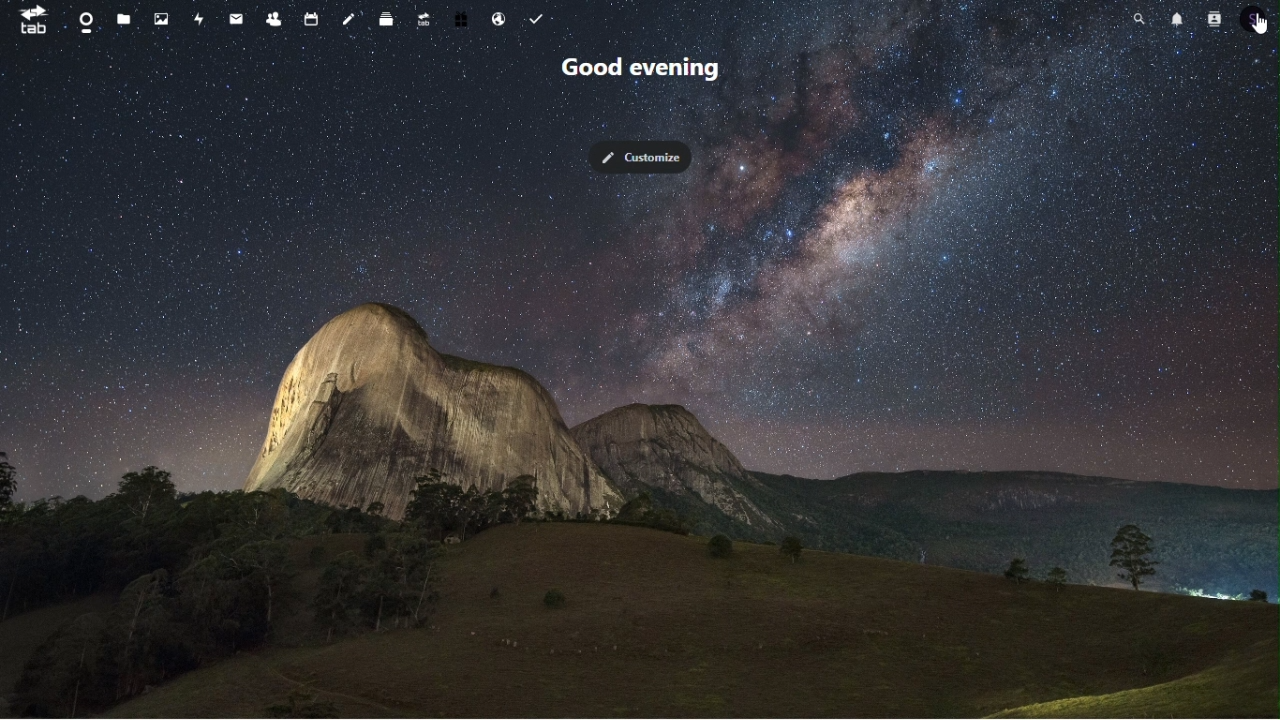 This screenshot has width=1280, height=720. I want to click on free trial, so click(461, 19).